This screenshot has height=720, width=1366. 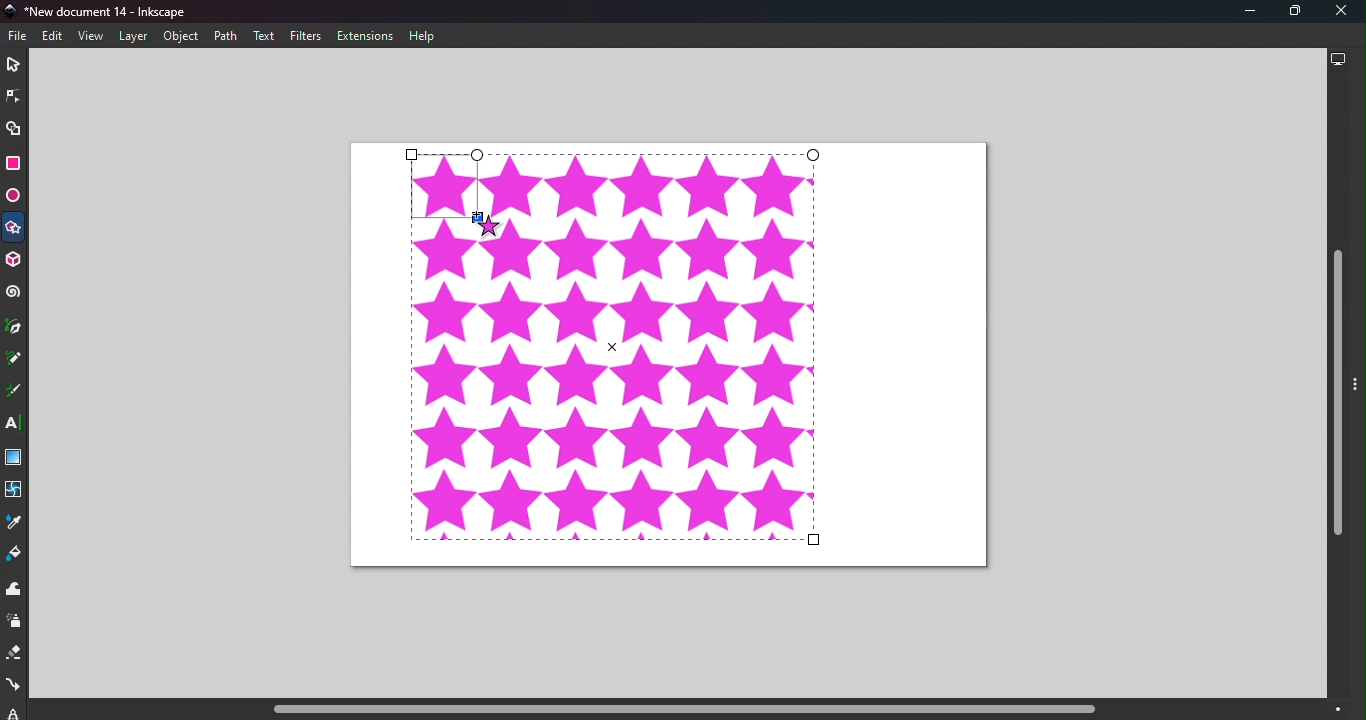 I want to click on Text, so click(x=264, y=36).